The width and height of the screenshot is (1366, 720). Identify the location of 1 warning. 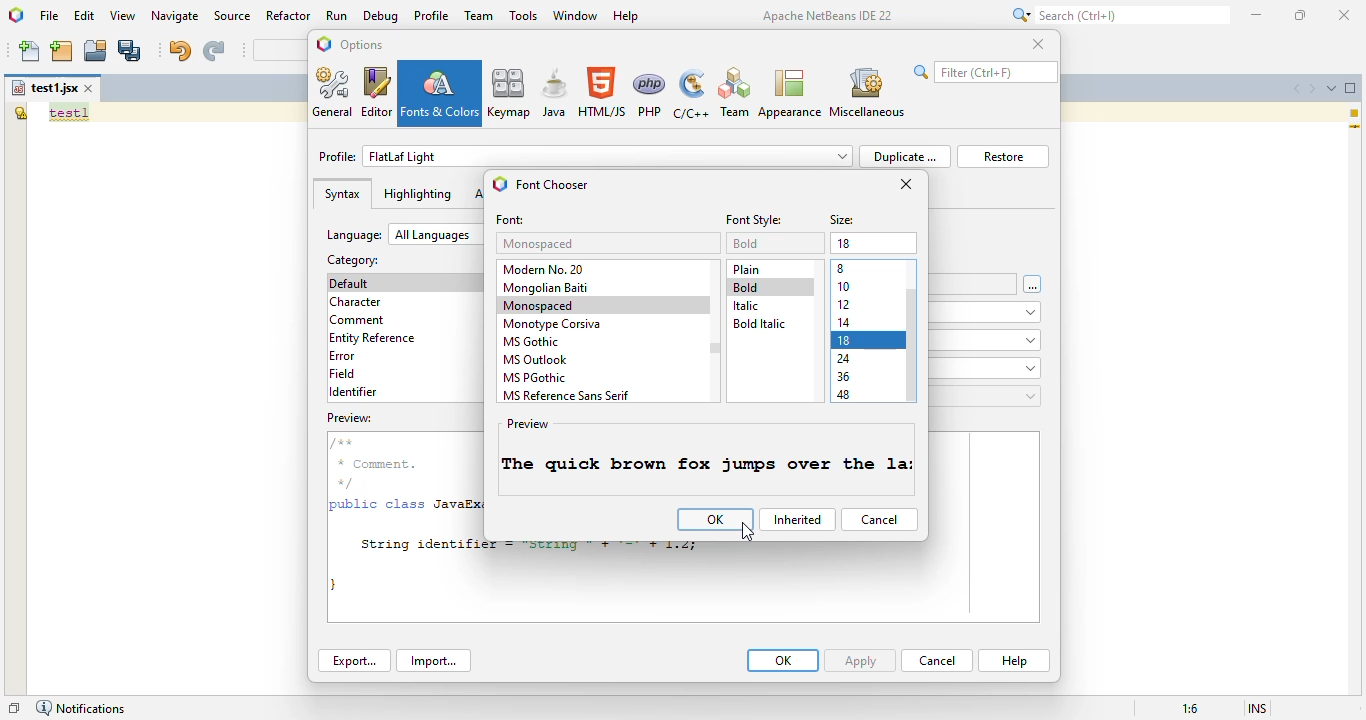
(1357, 113).